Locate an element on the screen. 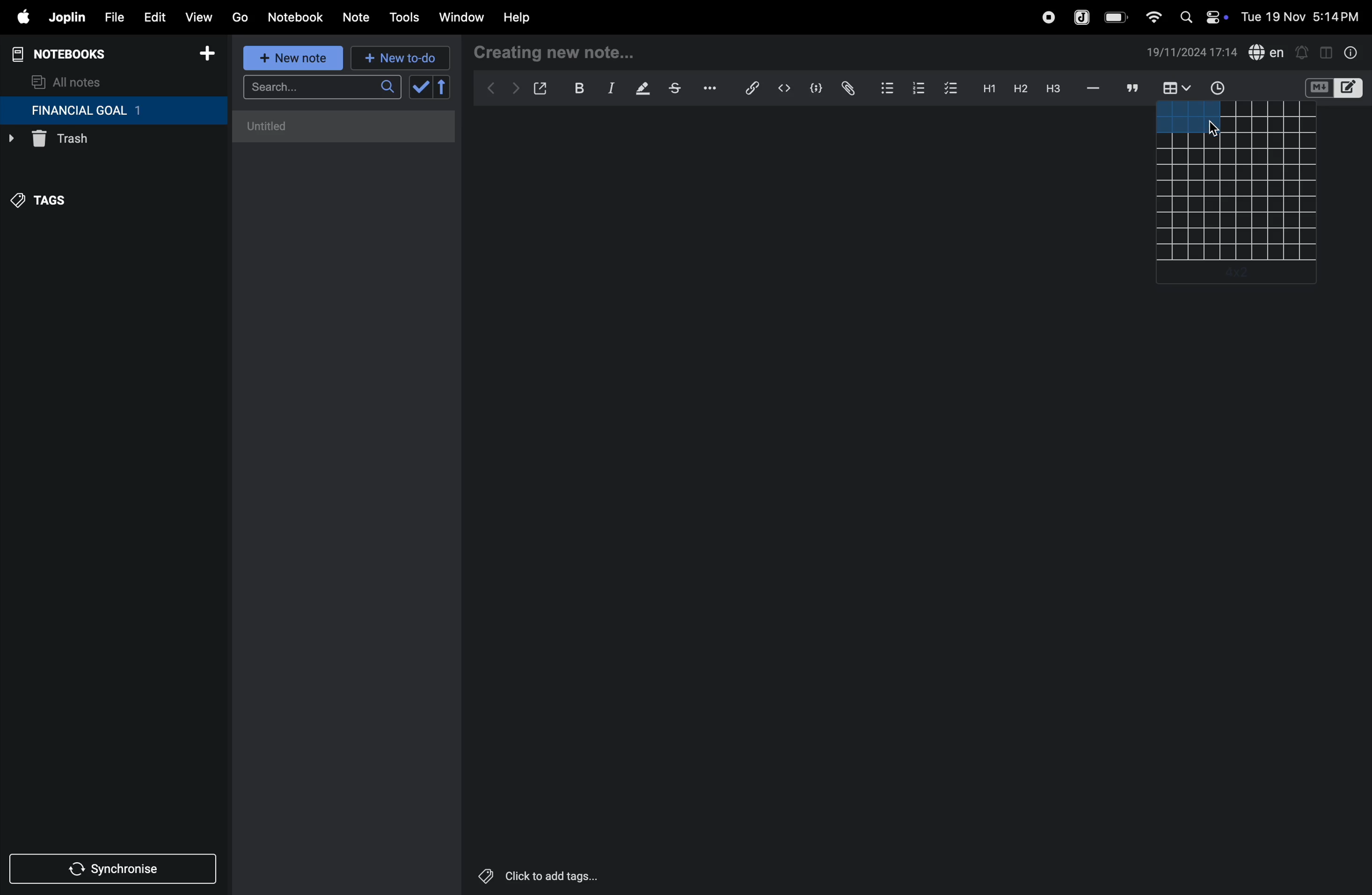 This screenshot has width=1372, height=895. trash is located at coordinates (89, 142).